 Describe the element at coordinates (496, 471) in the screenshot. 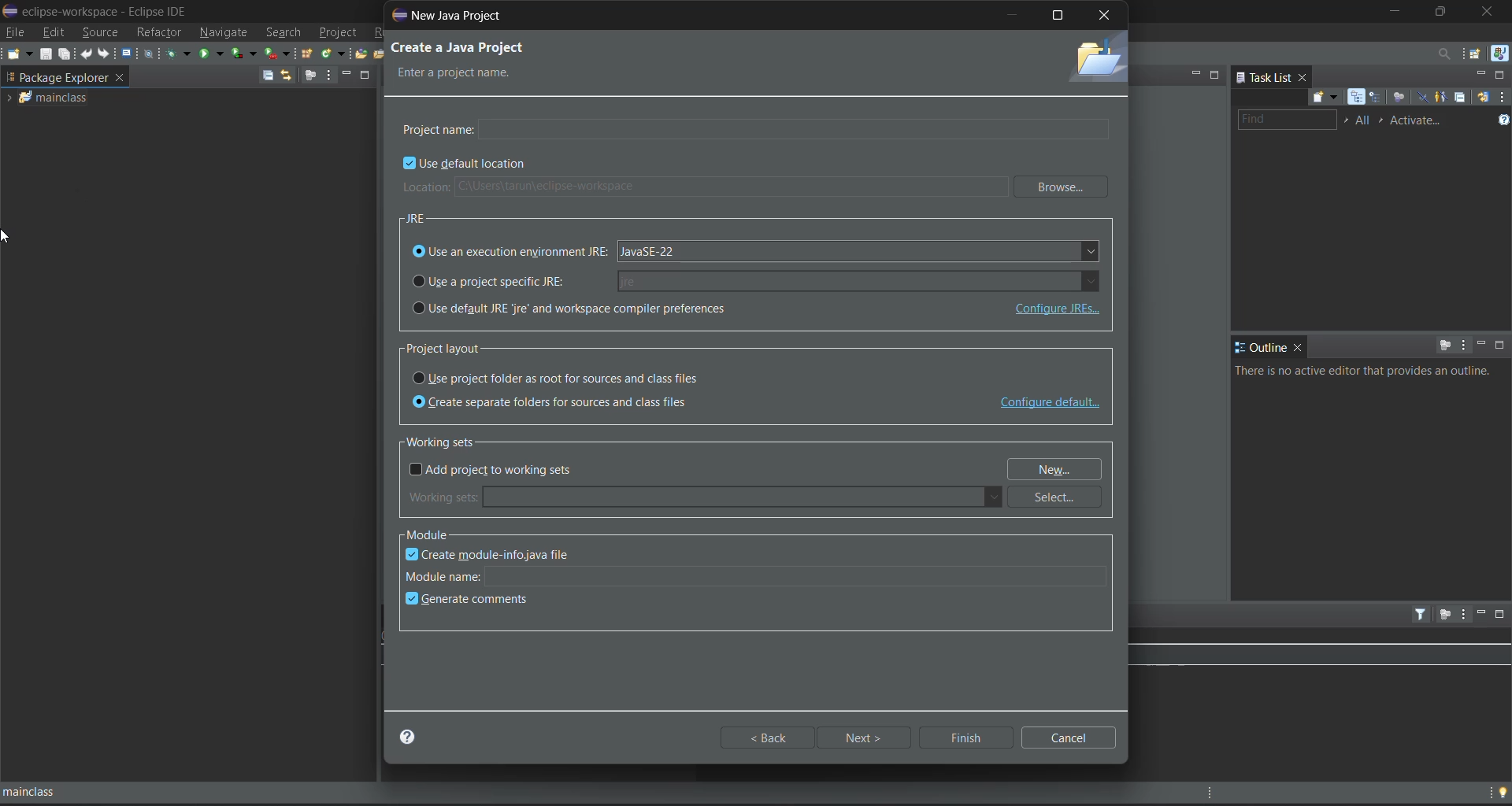

I see `add project to working sets` at that location.